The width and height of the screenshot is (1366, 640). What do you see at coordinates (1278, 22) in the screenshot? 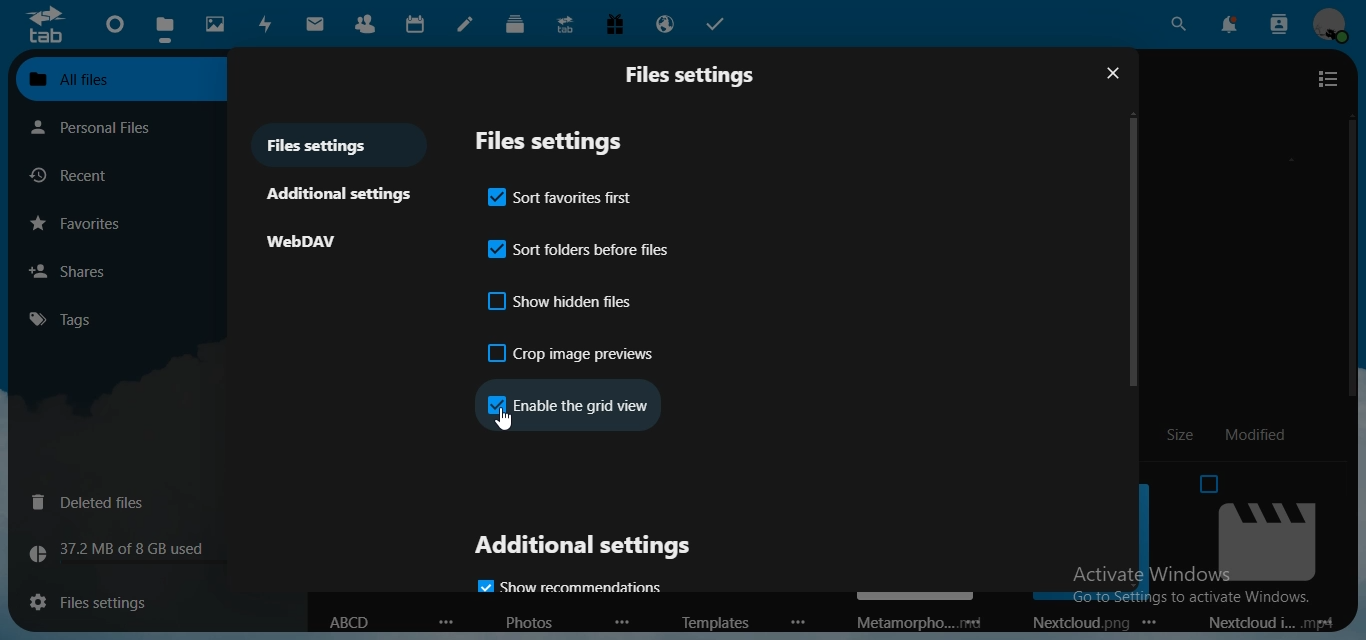
I see `search contacts` at bounding box center [1278, 22].